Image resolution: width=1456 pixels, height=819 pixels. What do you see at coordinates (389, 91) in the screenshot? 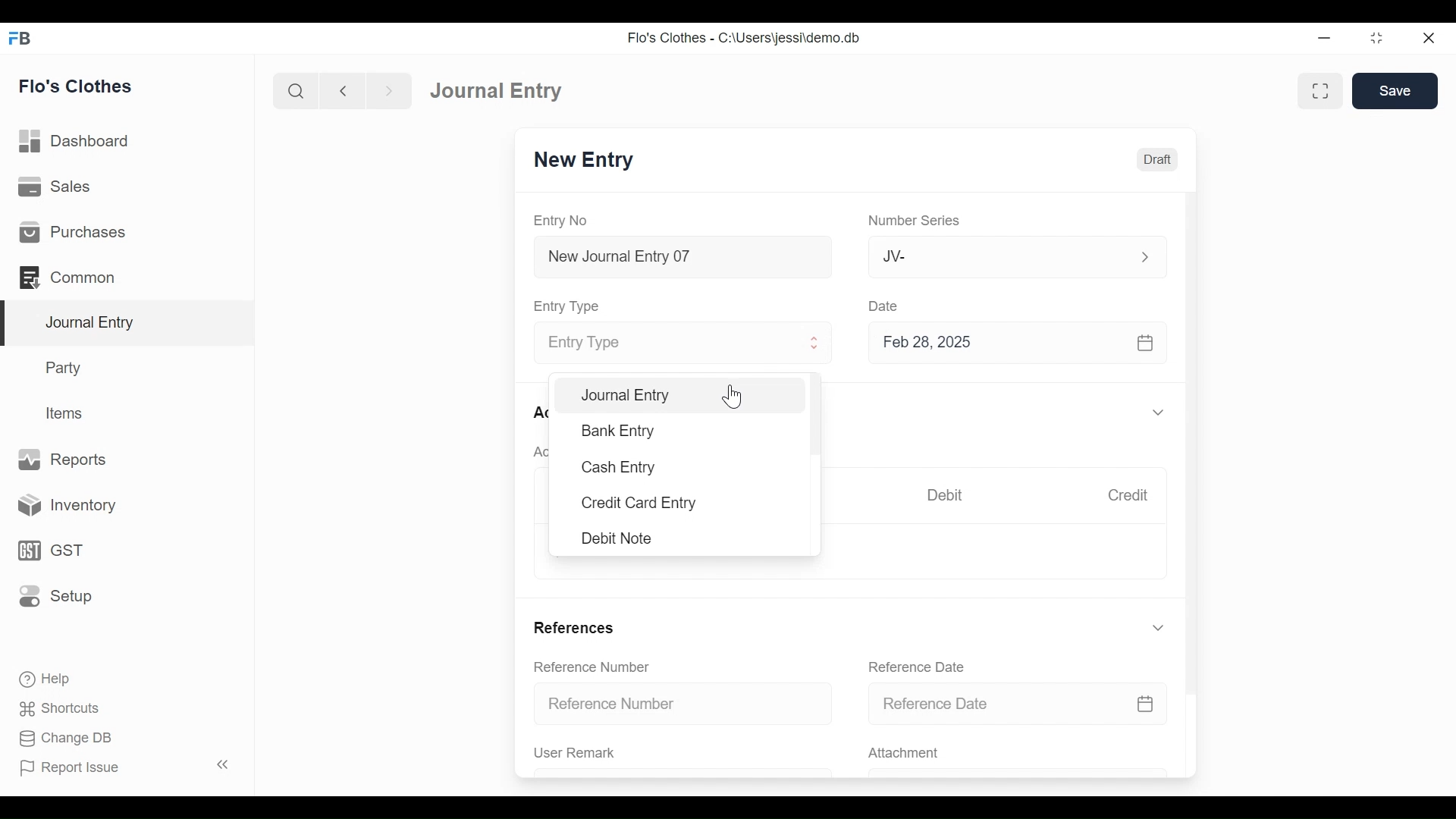
I see `Navigate Forward` at bounding box center [389, 91].